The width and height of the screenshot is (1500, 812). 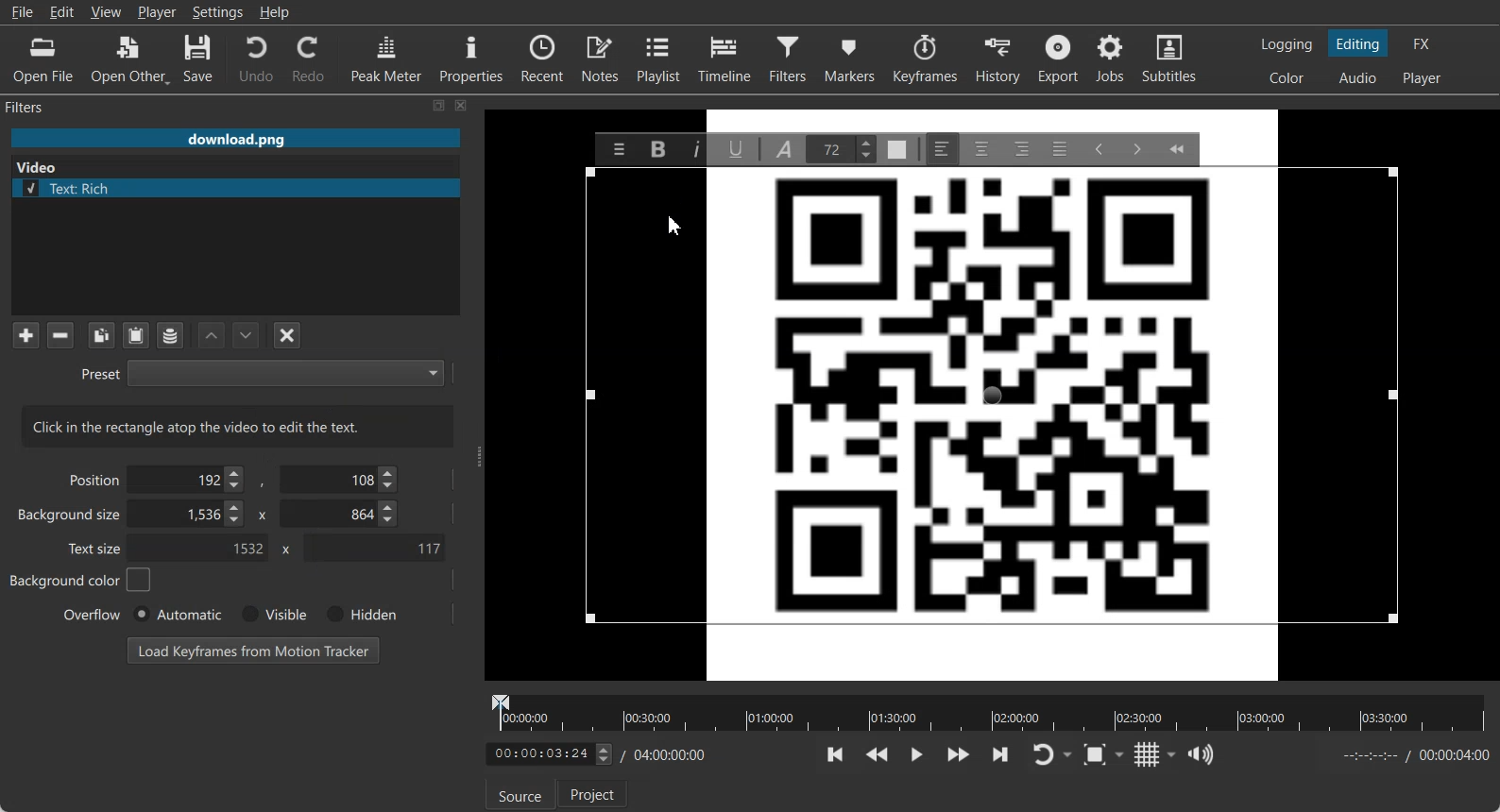 I want to click on Decrease Indent, so click(x=1099, y=149).